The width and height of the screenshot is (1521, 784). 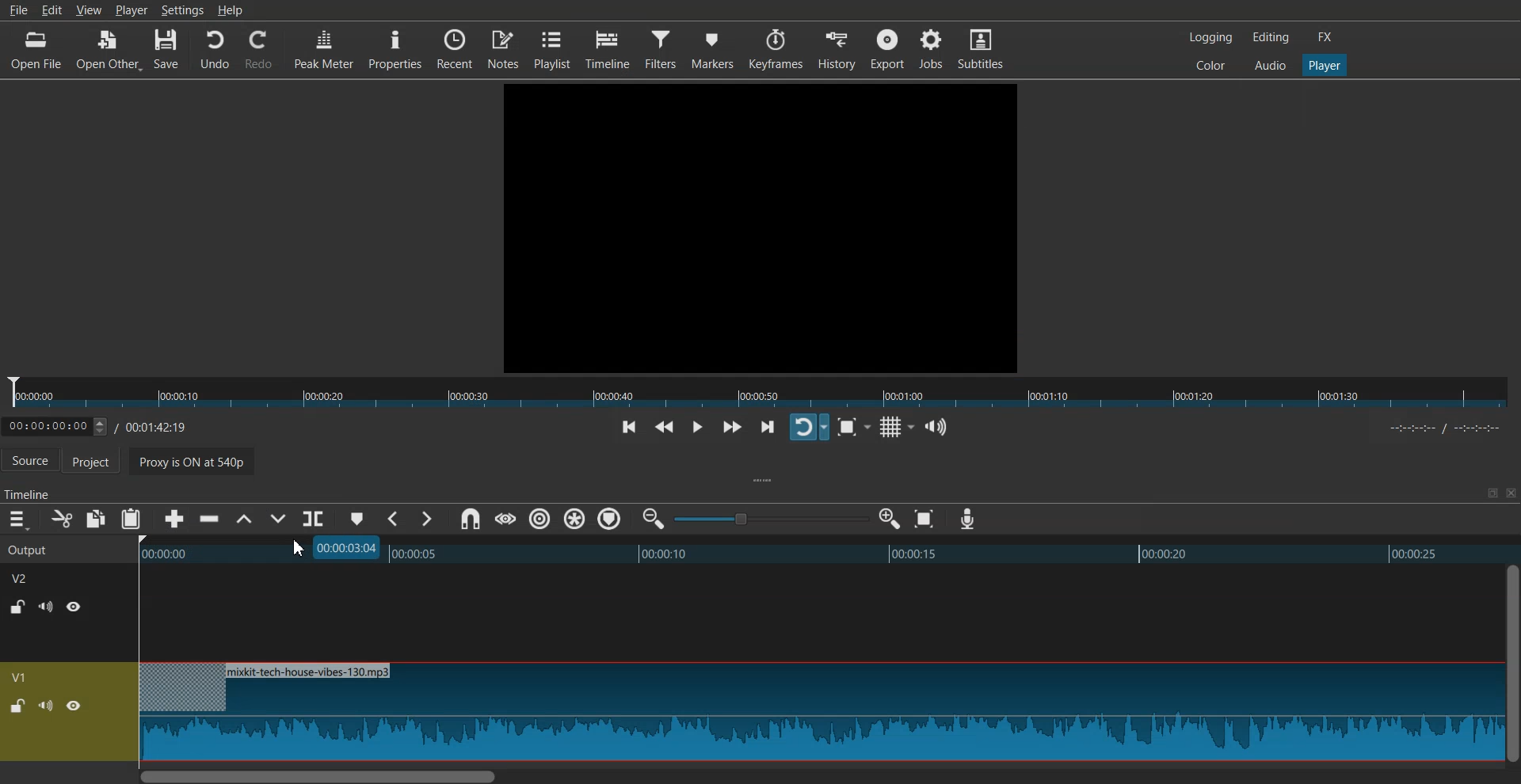 I want to click on Colors, so click(x=1210, y=64).